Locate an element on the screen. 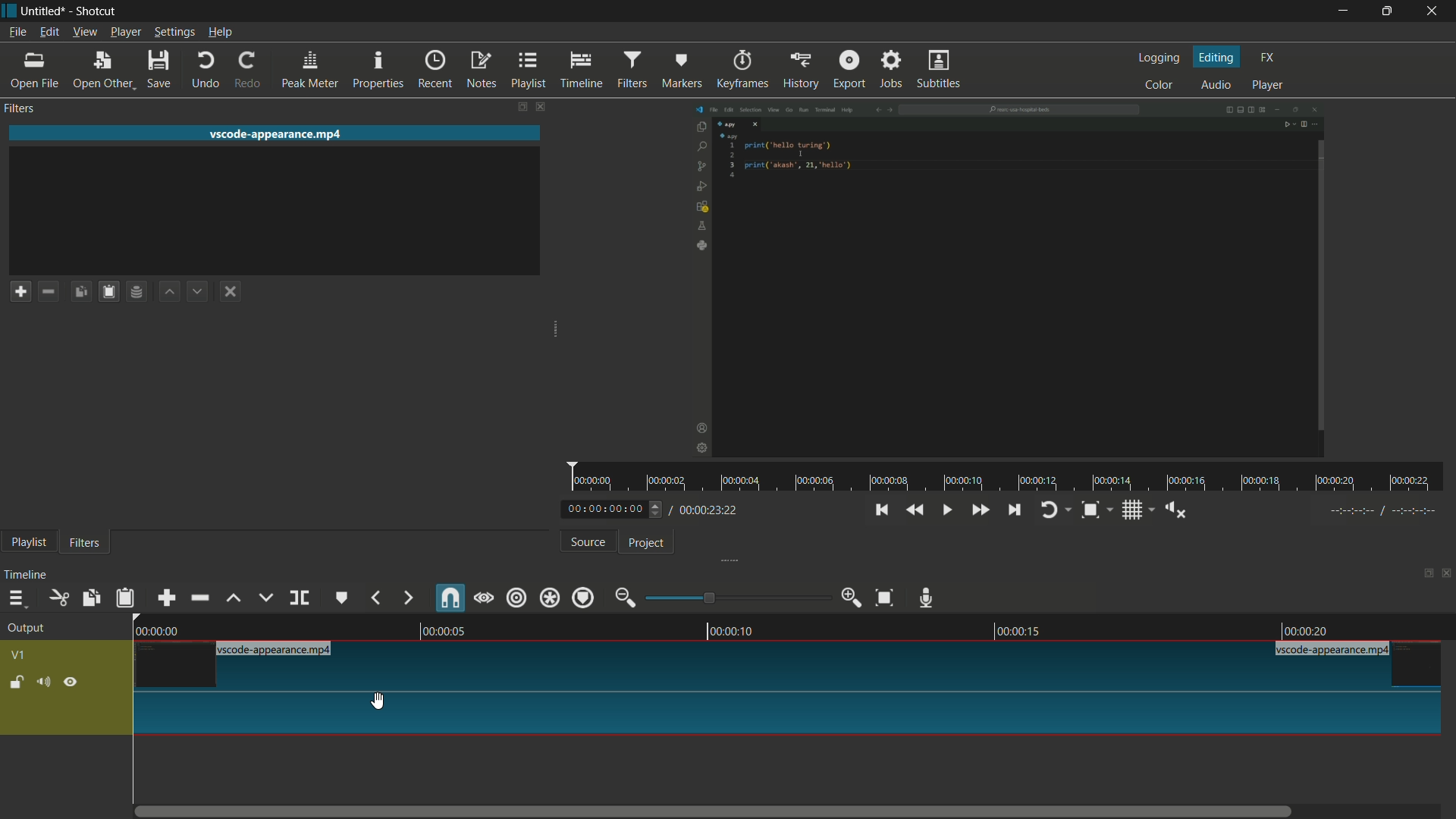 The image size is (1456, 819). toggle grid is located at coordinates (1131, 510).